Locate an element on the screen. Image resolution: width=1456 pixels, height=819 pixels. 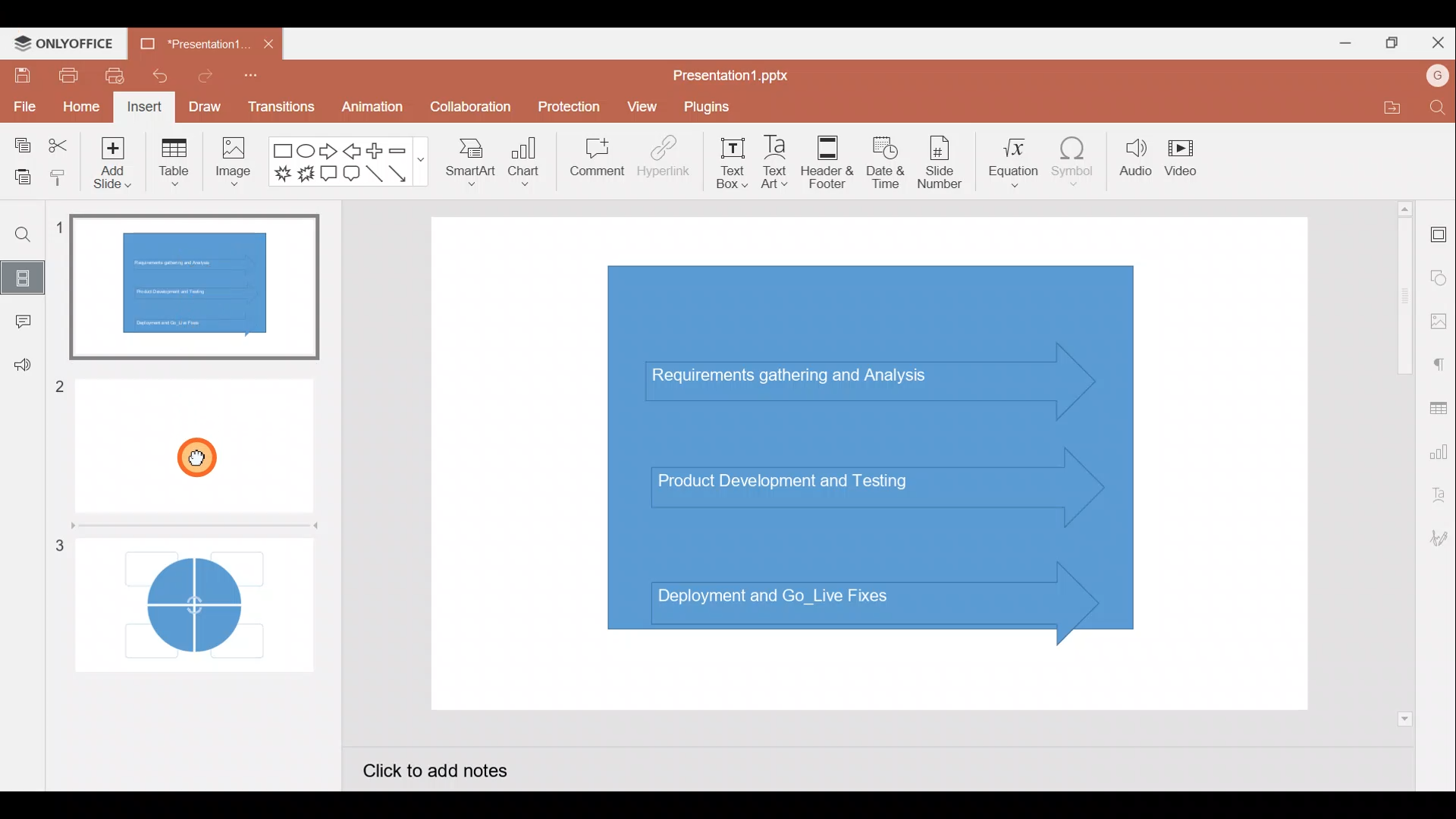
Close document is located at coordinates (267, 43).